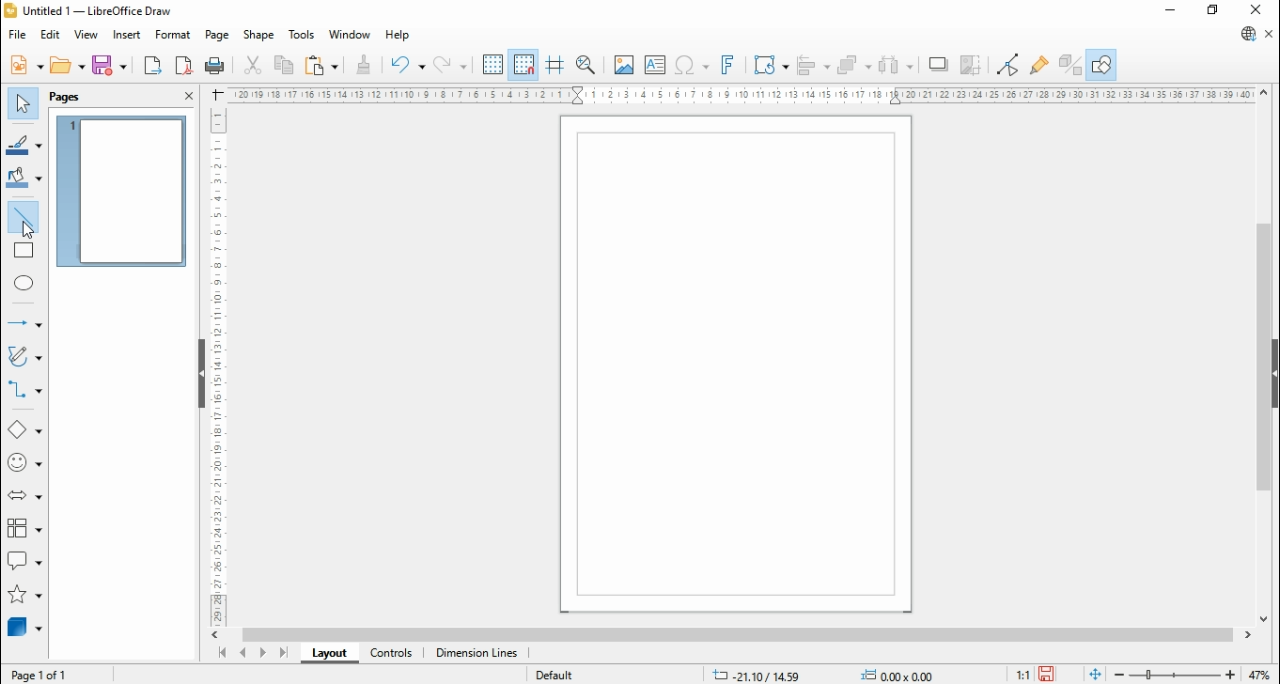  What do you see at coordinates (1247, 34) in the screenshot?
I see `libreoffice update` at bounding box center [1247, 34].